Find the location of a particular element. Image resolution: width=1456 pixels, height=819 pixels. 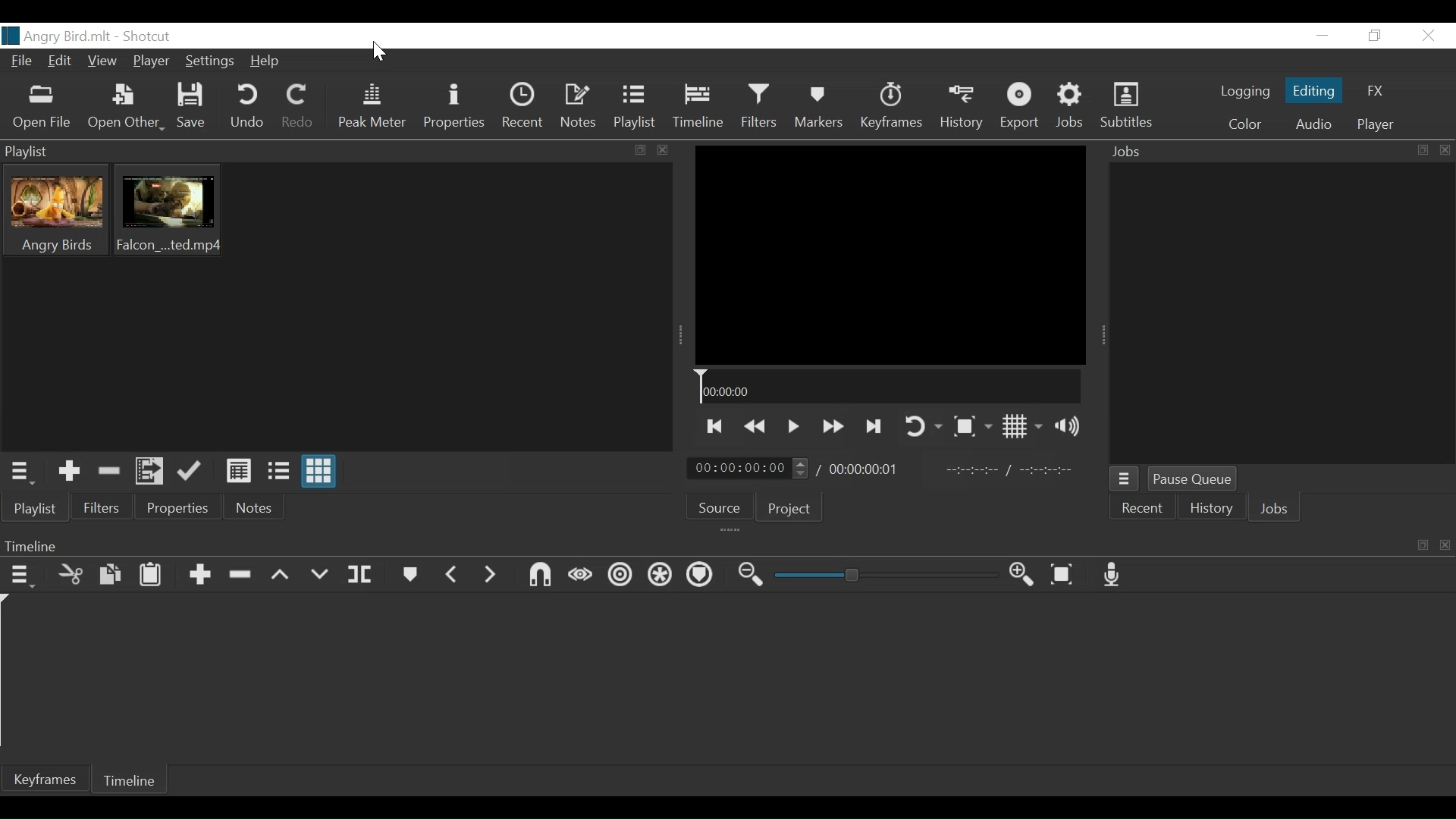

File name is located at coordinates (55, 37).